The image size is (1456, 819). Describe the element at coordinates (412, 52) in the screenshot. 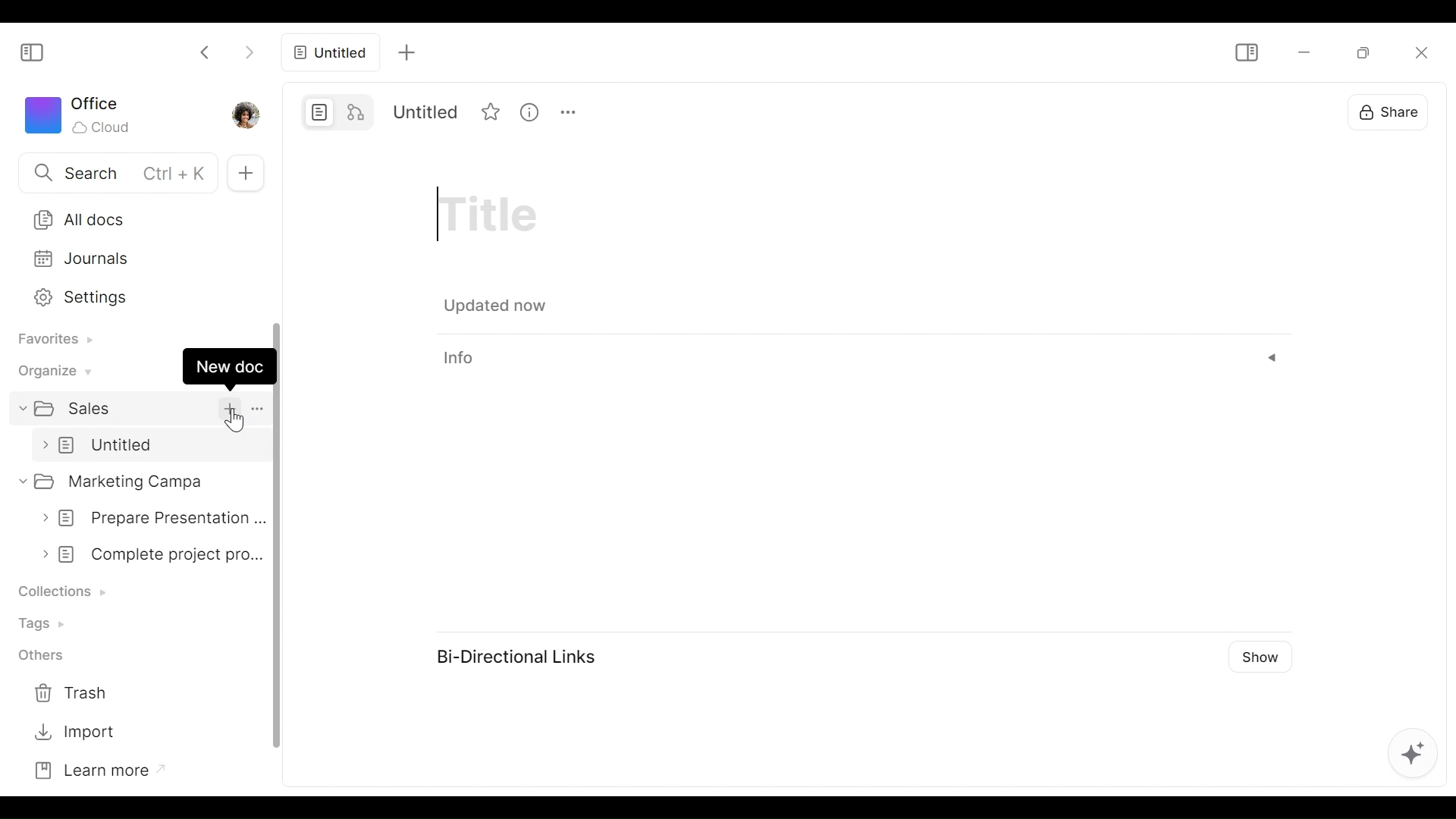

I see `add tab` at that location.